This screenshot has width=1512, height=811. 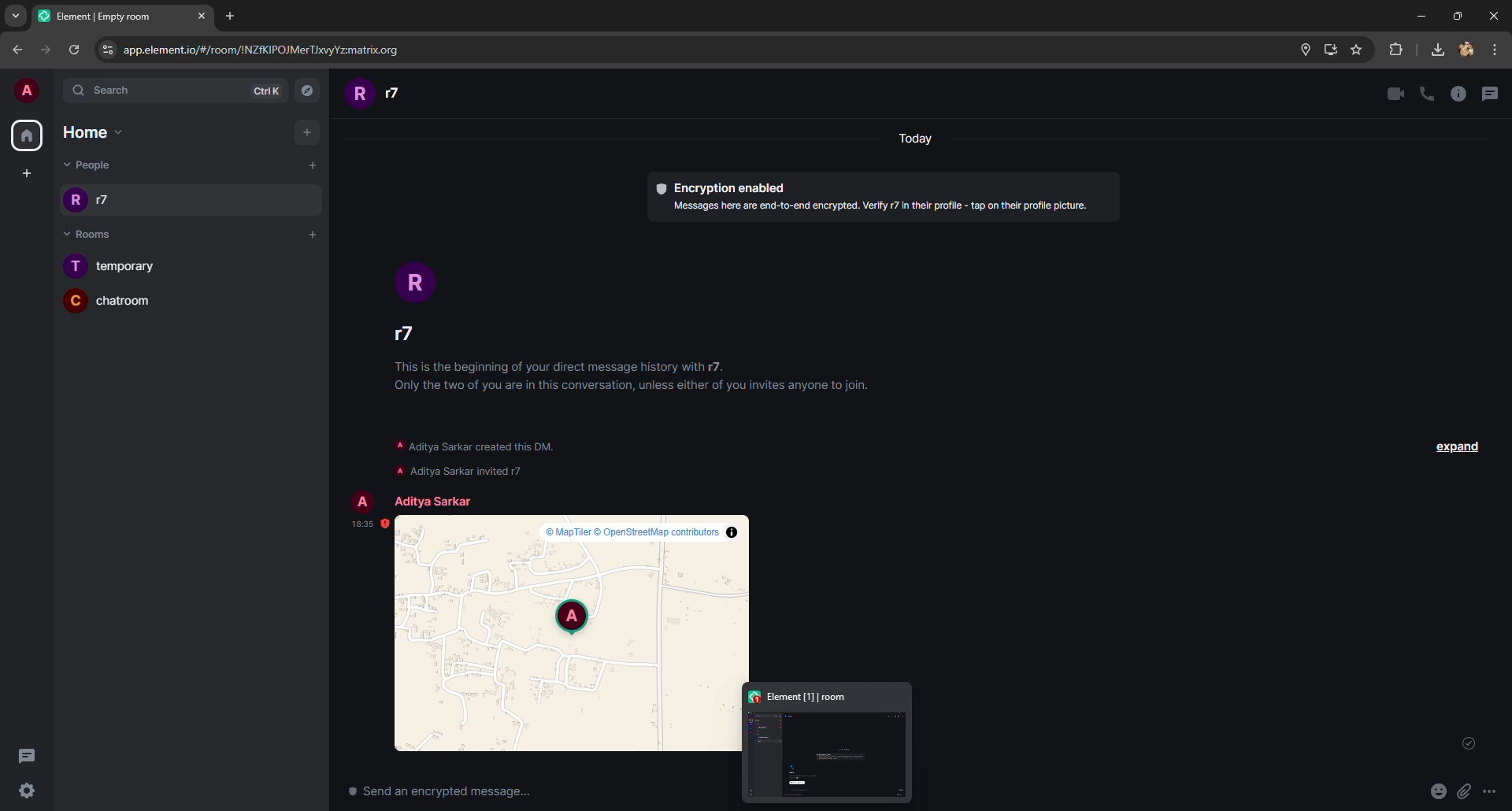 I want to click on people, so click(x=83, y=165).